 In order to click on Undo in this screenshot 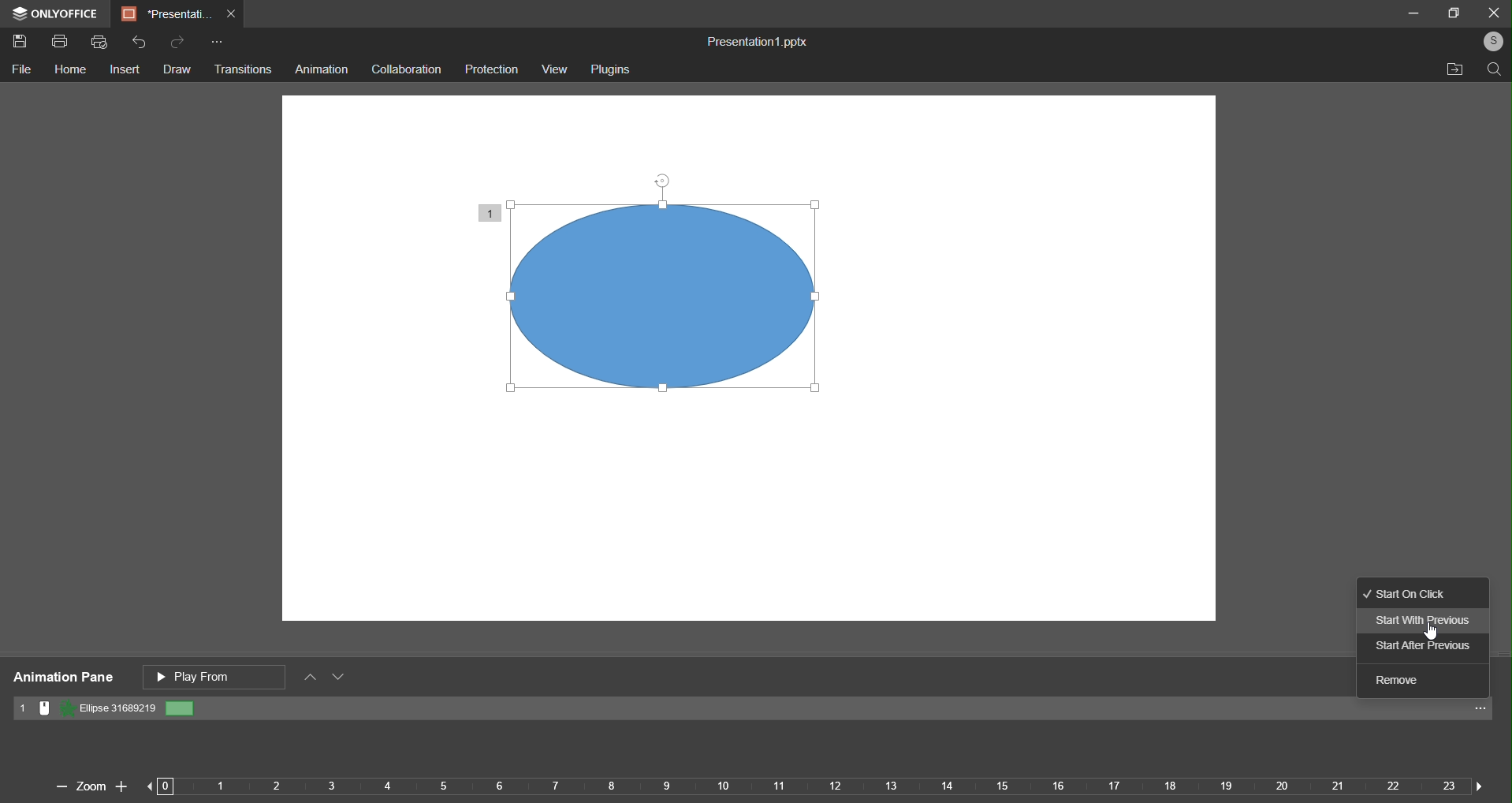, I will do `click(141, 43)`.